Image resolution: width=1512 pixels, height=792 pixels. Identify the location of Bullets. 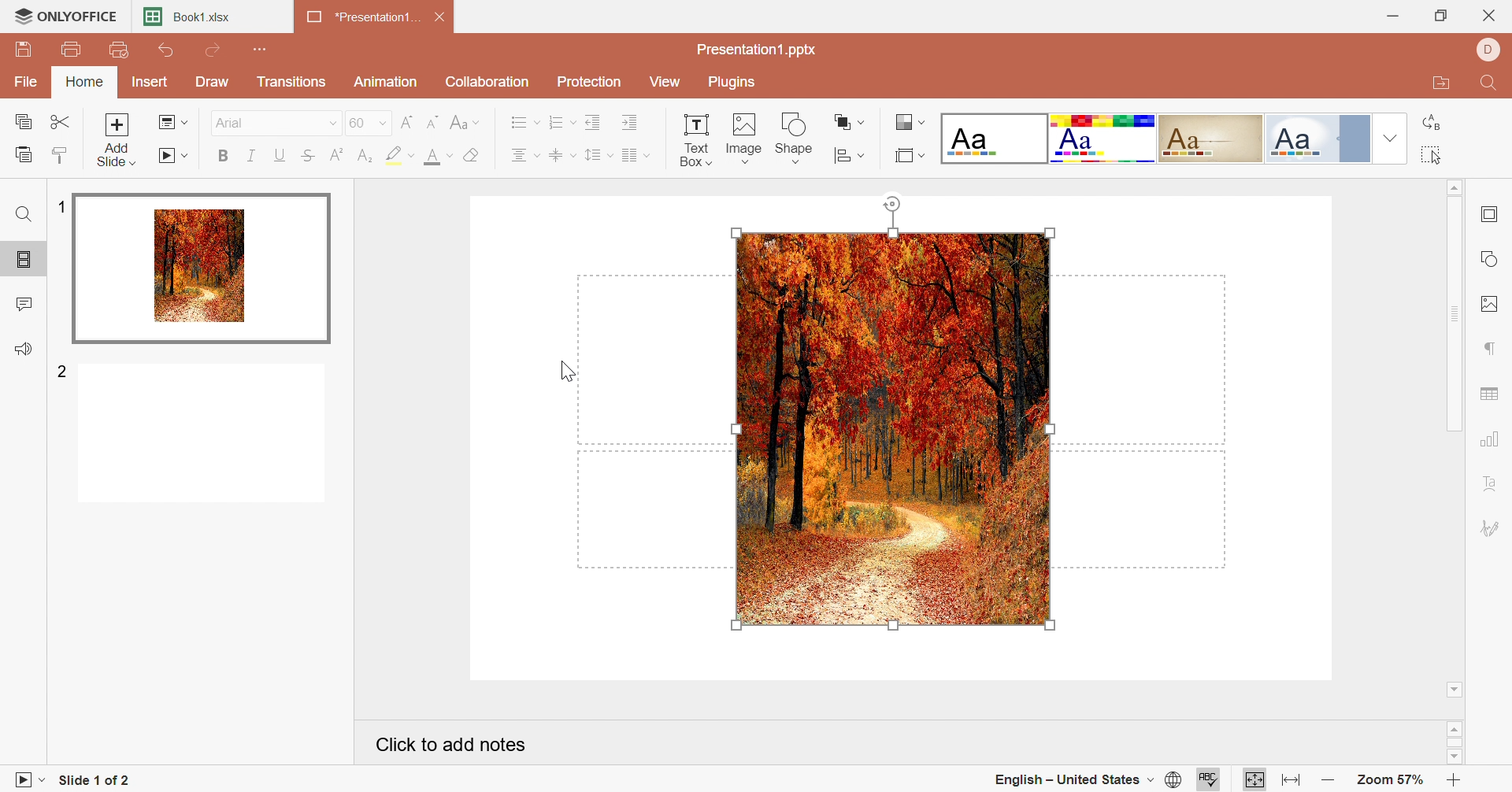
(524, 121).